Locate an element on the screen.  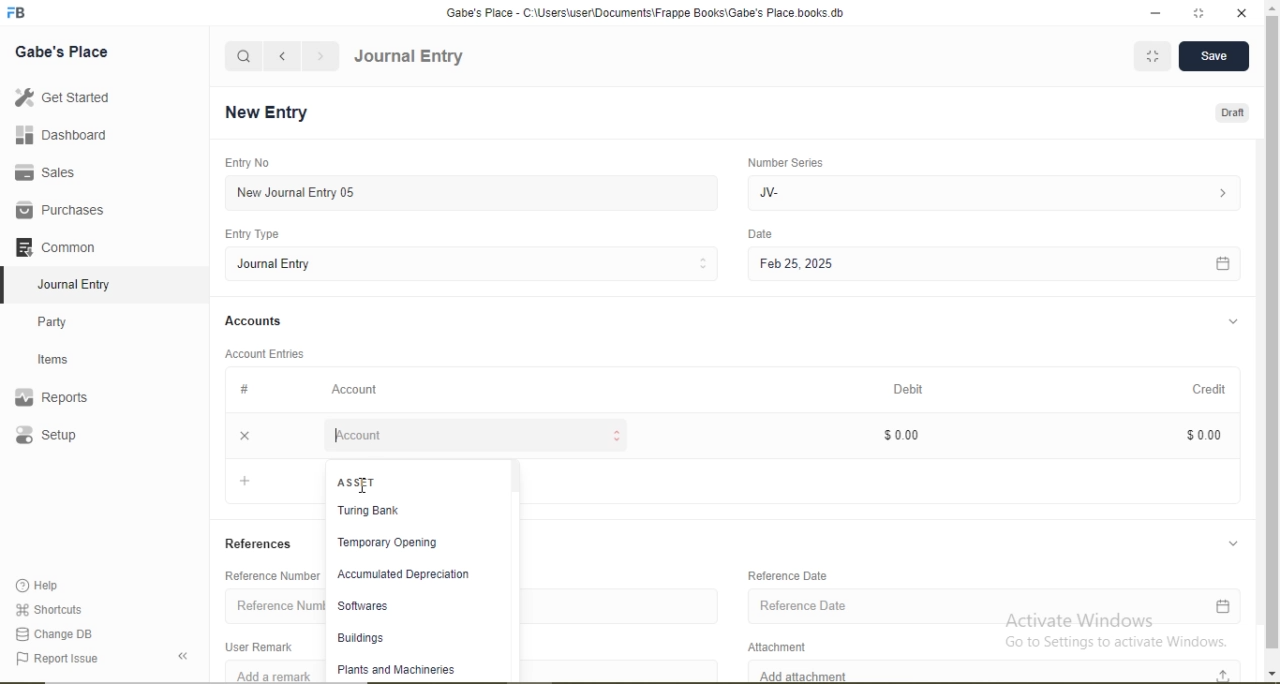
Draft is located at coordinates (1230, 114).